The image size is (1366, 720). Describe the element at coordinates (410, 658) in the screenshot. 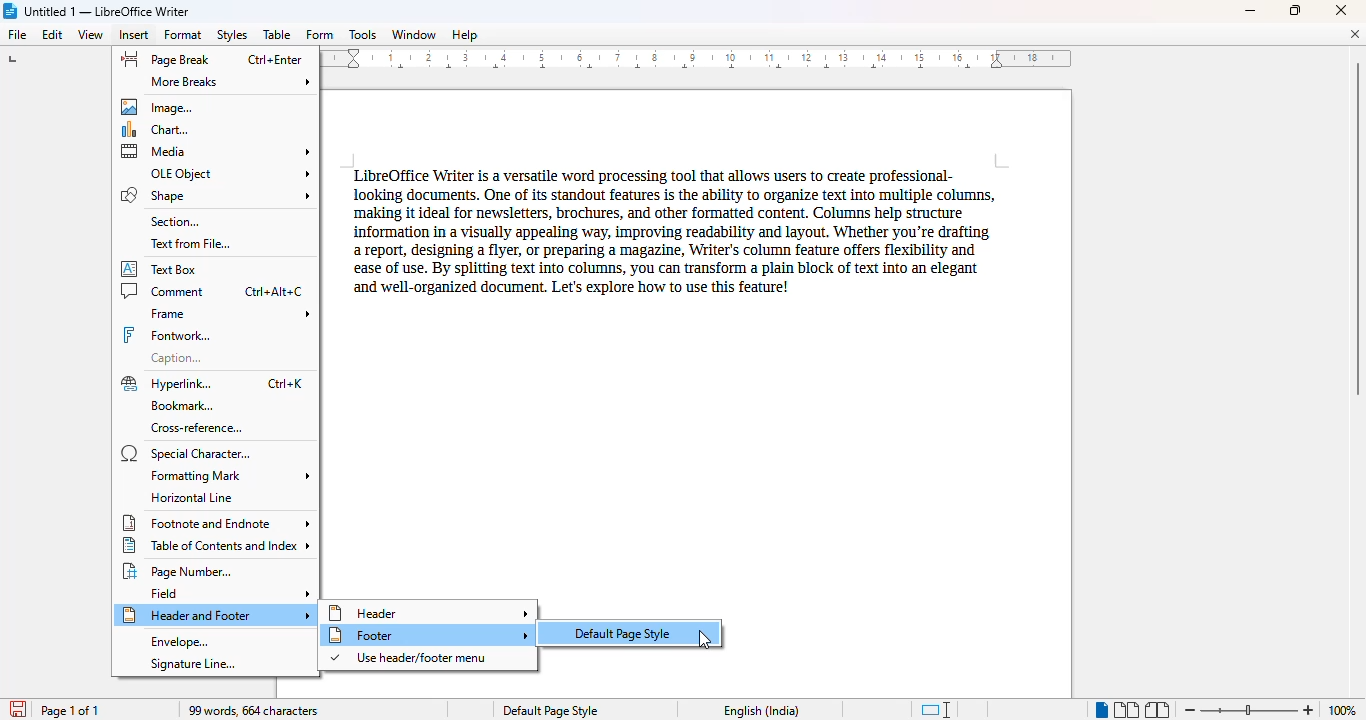

I see `use header/footer menu` at that location.